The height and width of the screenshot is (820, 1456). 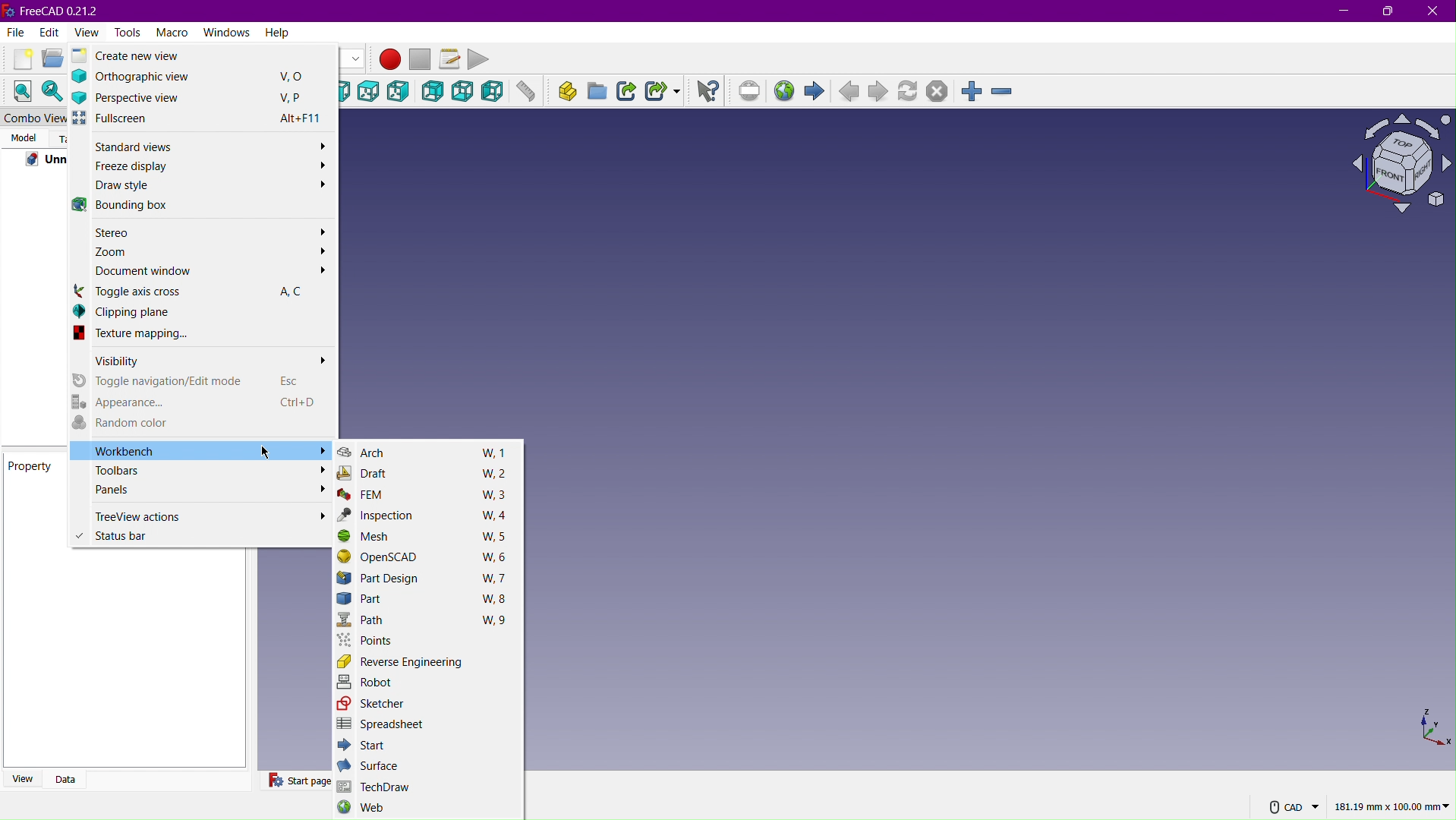 What do you see at coordinates (1391, 163) in the screenshot?
I see `Plane View` at bounding box center [1391, 163].